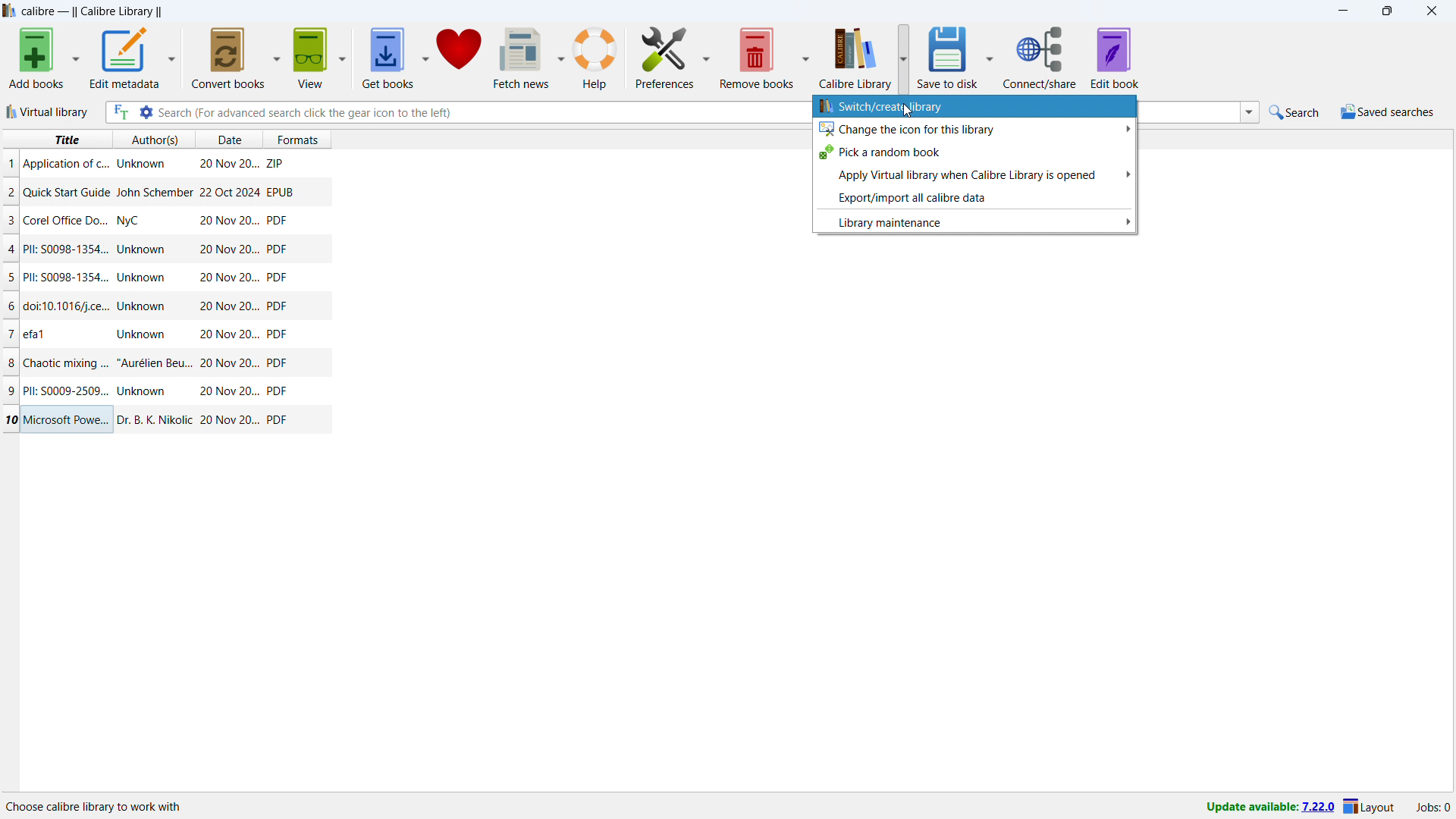 This screenshot has width=1456, height=819. What do you see at coordinates (460, 57) in the screenshot?
I see `donate to calibre` at bounding box center [460, 57].